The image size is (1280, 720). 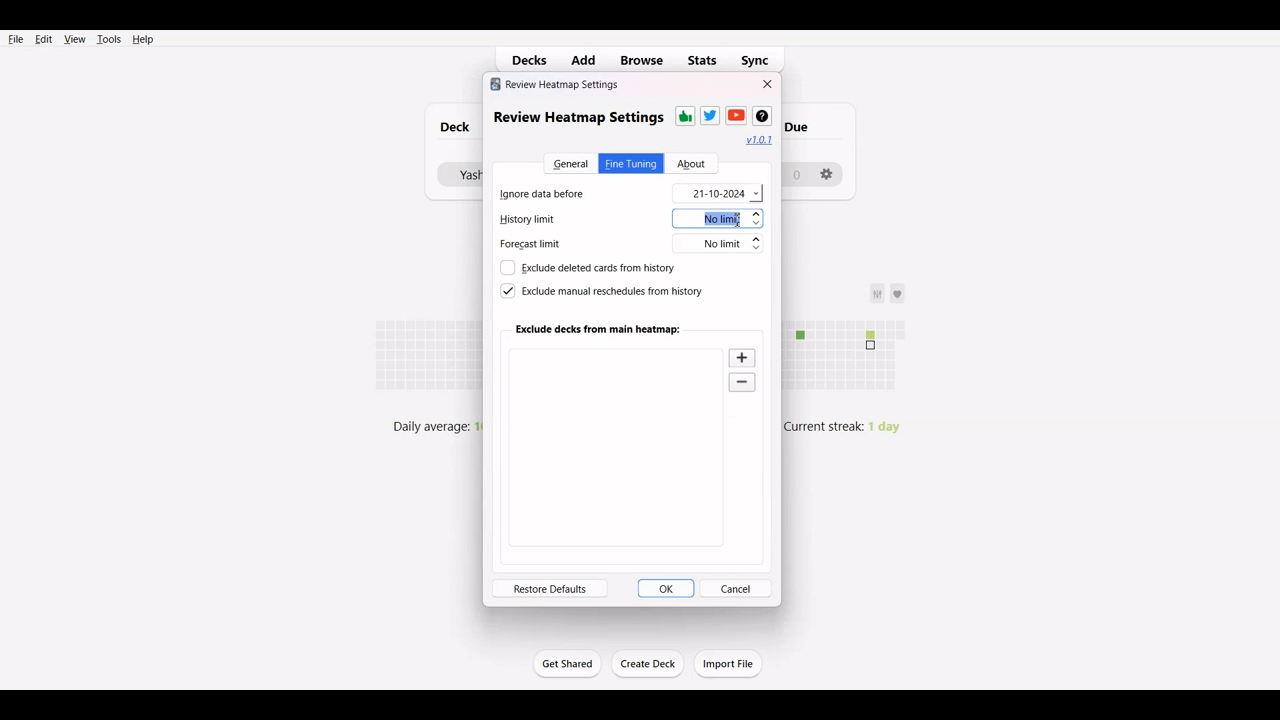 What do you see at coordinates (747, 221) in the screenshot?
I see `Text cursor` at bounding box center [747, 221].